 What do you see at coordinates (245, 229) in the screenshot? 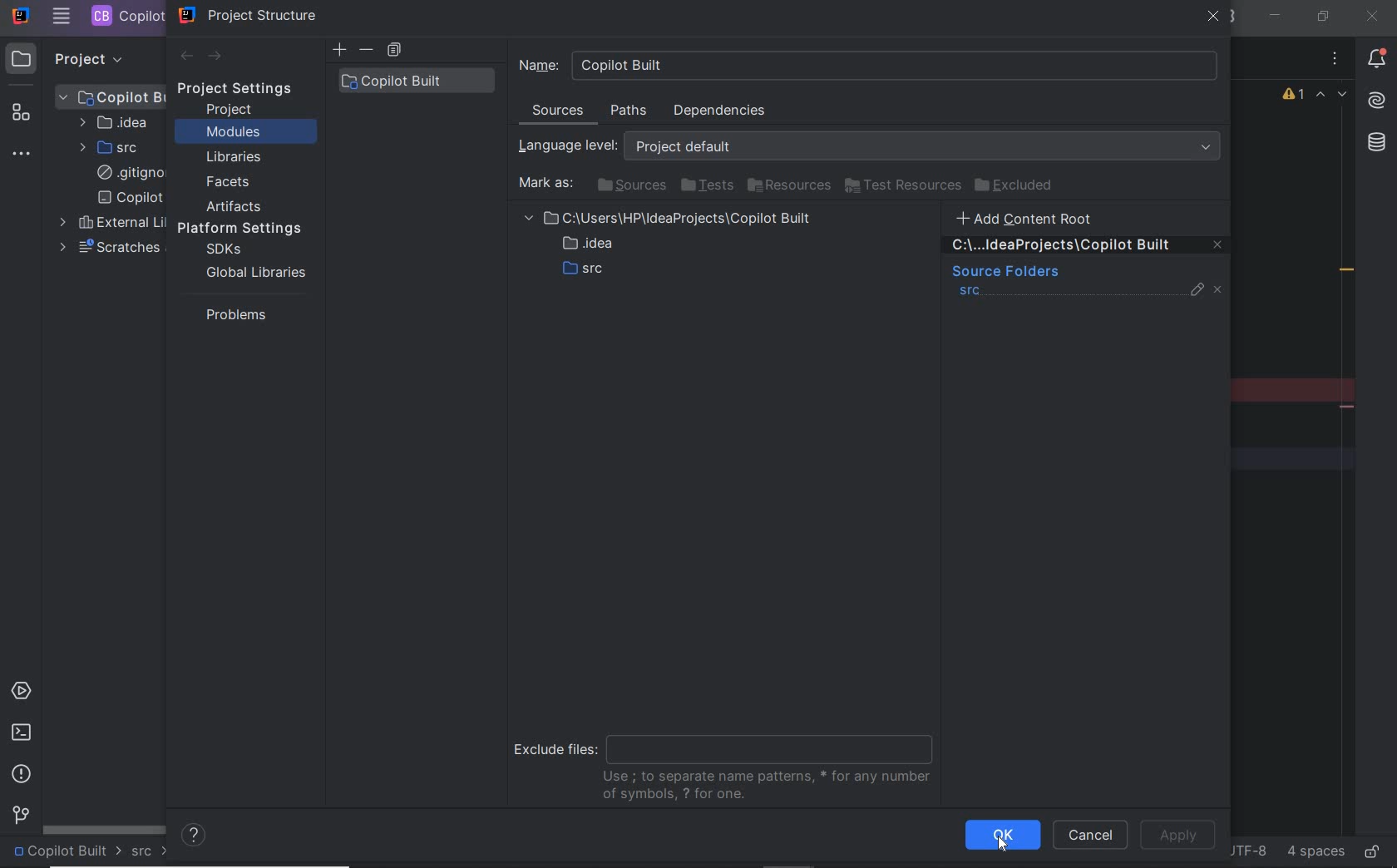
I see `platform settings` at bounding box center [245, 229].